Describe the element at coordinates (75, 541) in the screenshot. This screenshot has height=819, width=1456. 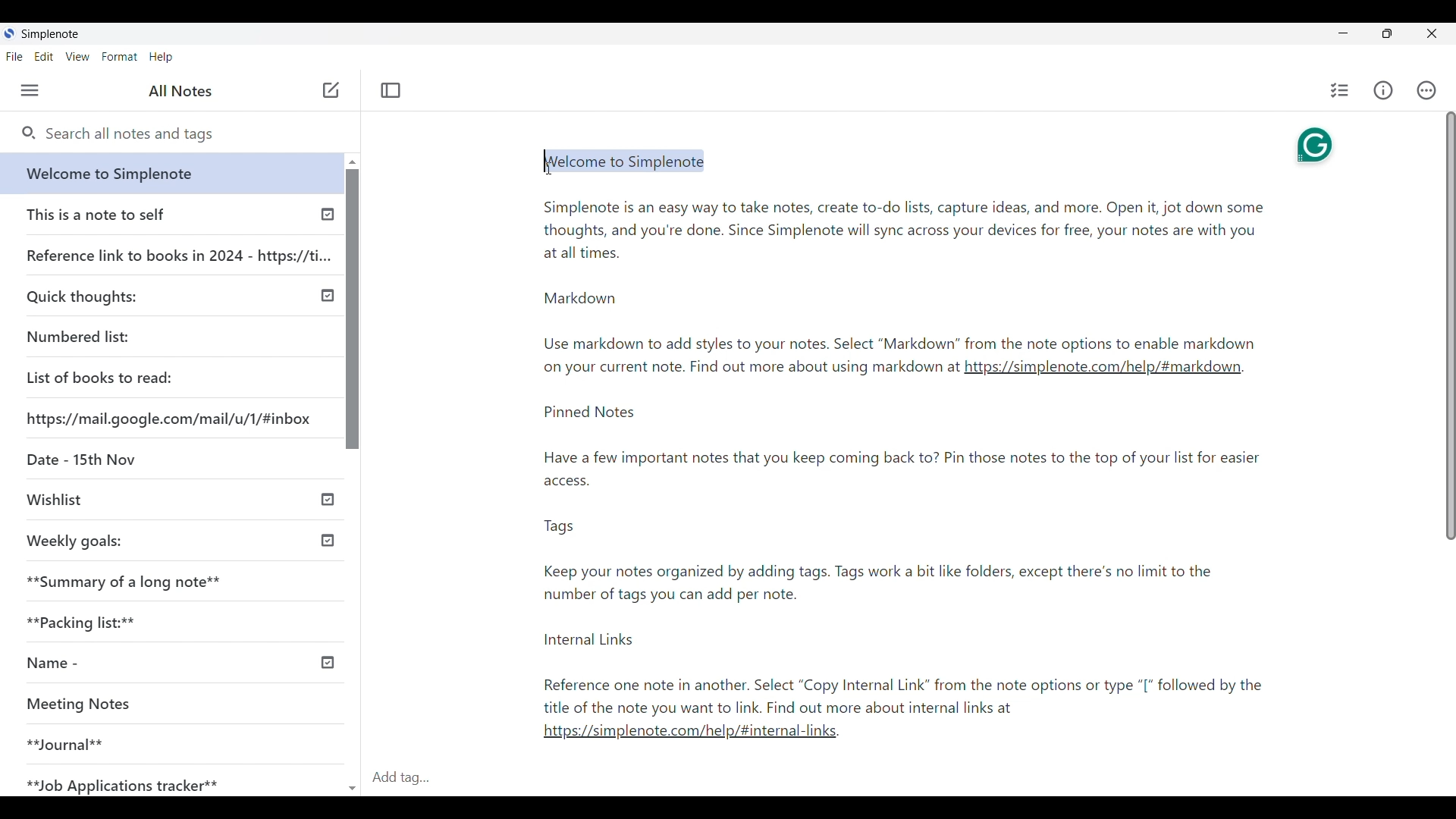
I see `Weekly goals` at that location.